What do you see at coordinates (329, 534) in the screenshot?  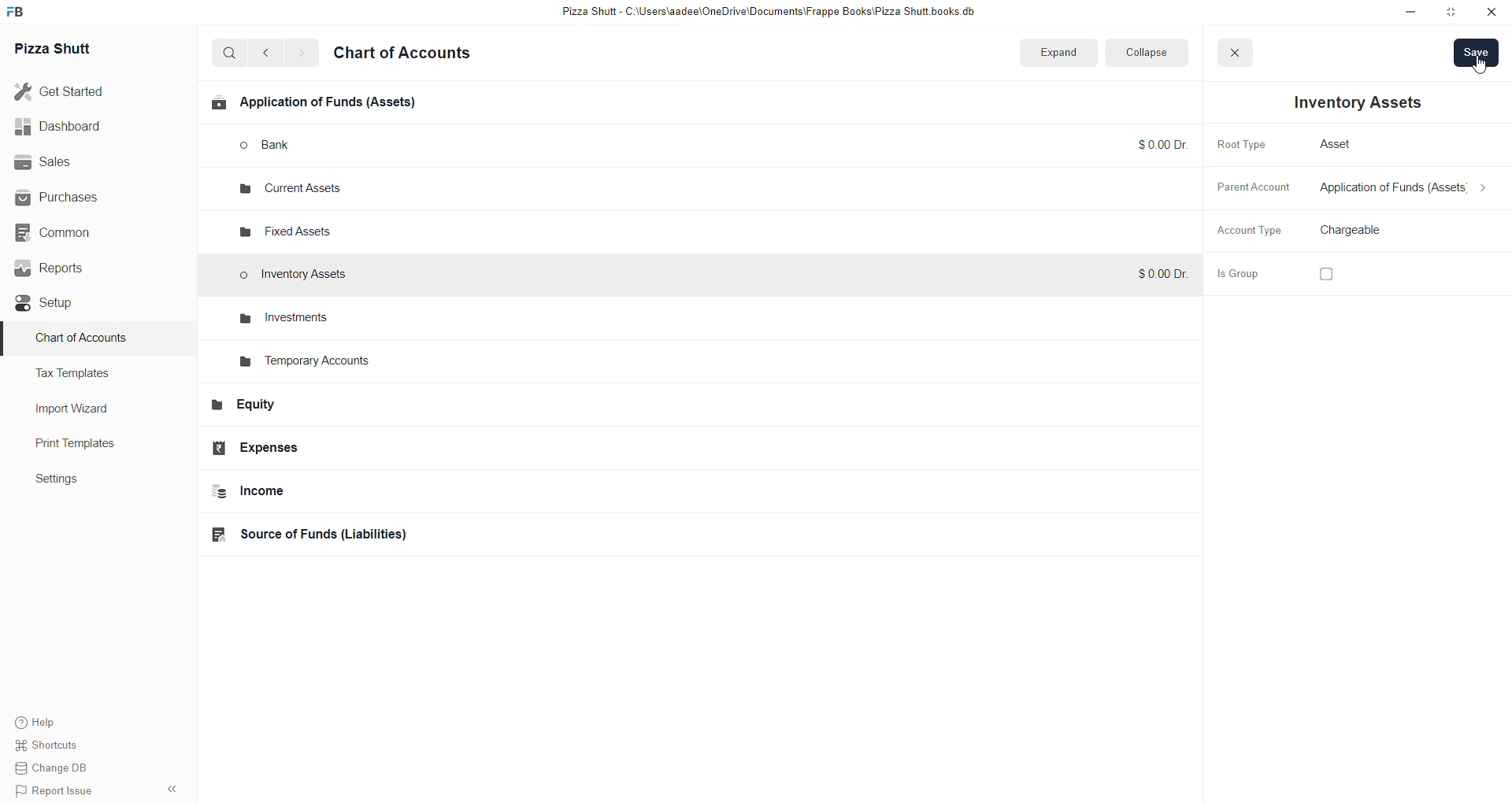 I see `Source of funds(Liabilities)` at bounding box center [329, 534].